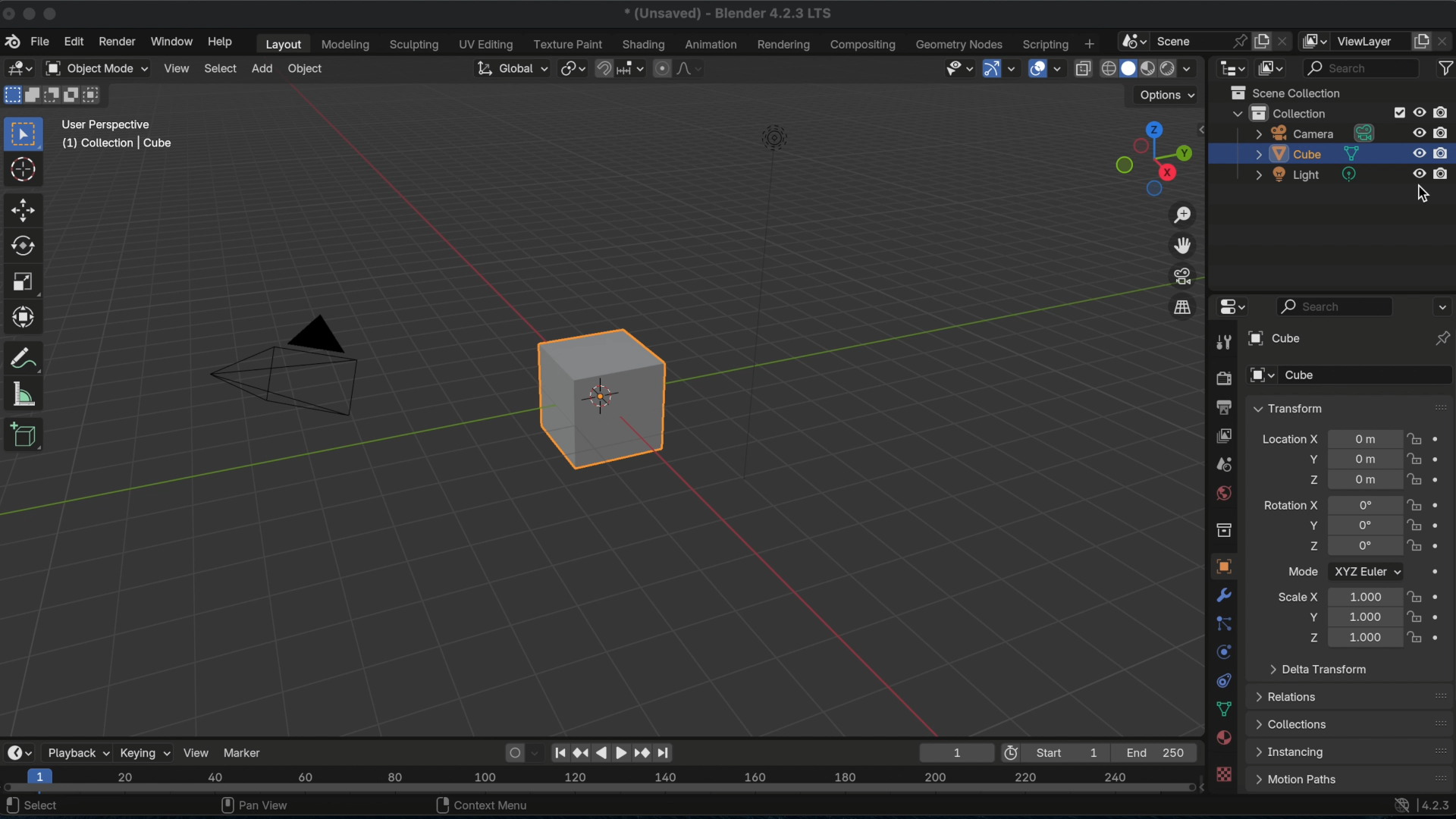 This screenshot has width=1456, height=819. I want to click on editor type, so click(20, 67).